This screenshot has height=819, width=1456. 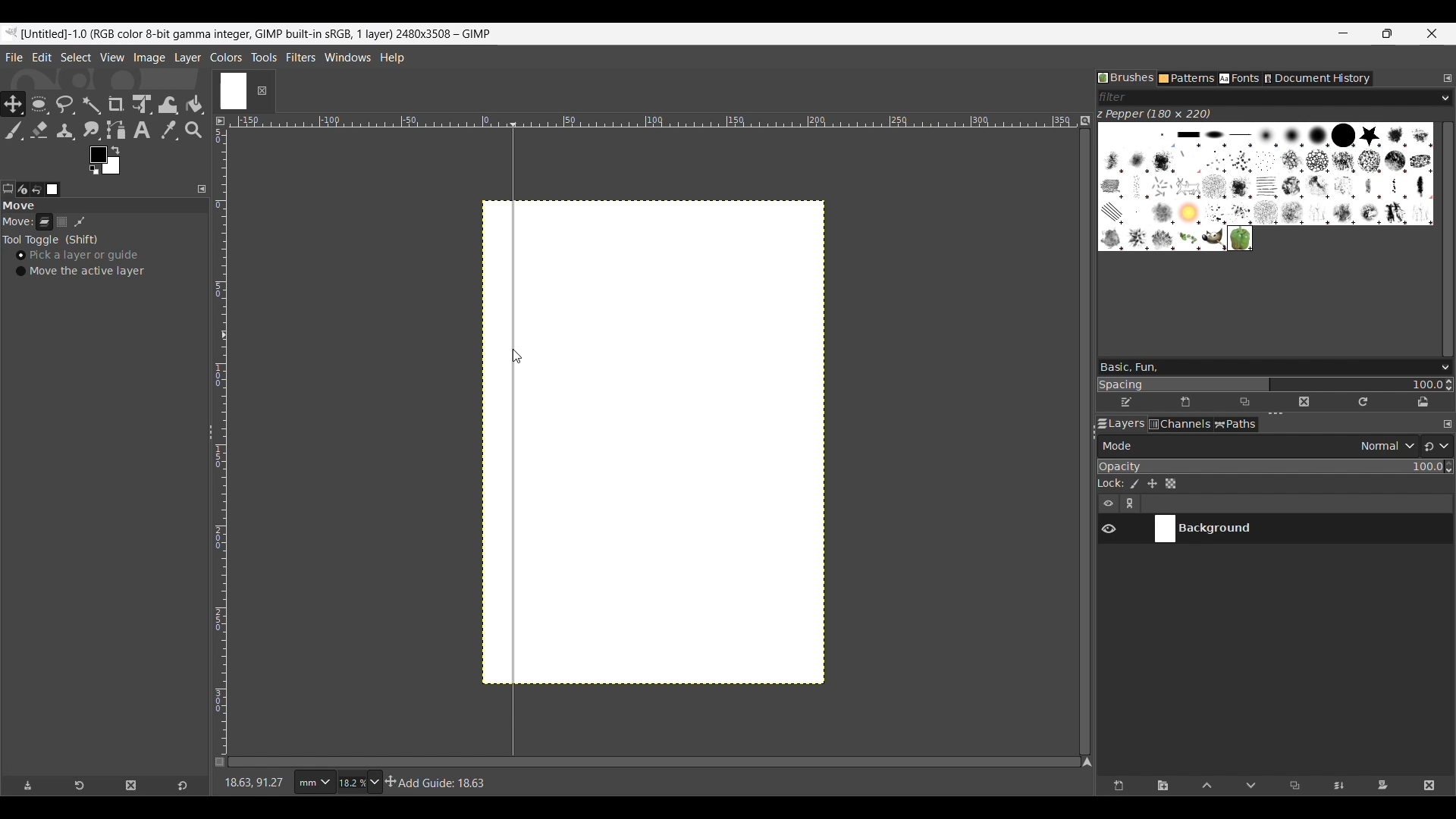 What do you see at coordinates (1127, 400) in the screenshot?
I see `Edit brush` at bounding box center [1127, 400].